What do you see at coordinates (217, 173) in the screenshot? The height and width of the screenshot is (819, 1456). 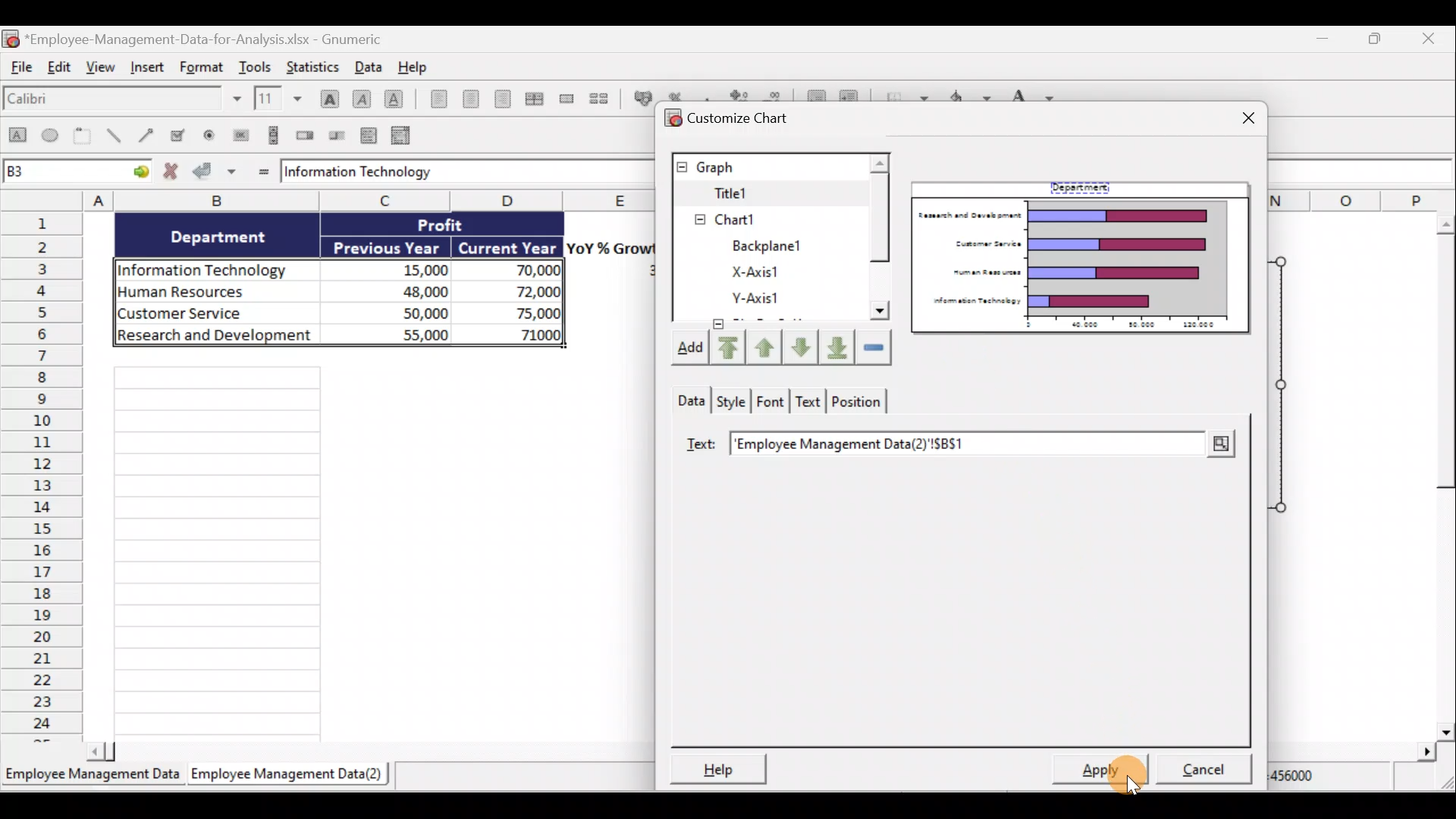 I see `Accept change` at bounding box center [217, 173].